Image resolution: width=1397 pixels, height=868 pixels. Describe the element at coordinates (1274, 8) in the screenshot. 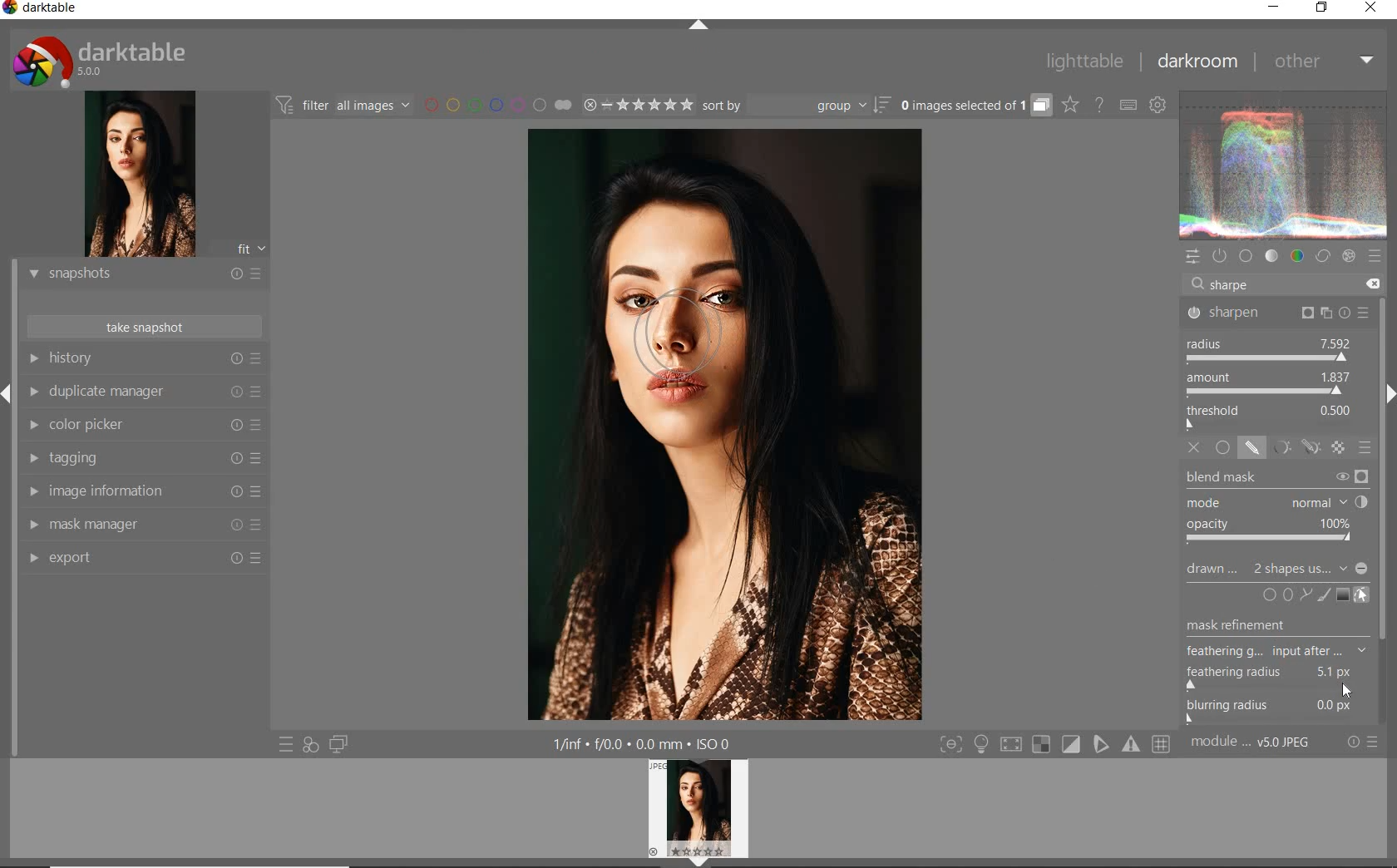

I see `MINIMIZE` at that location.